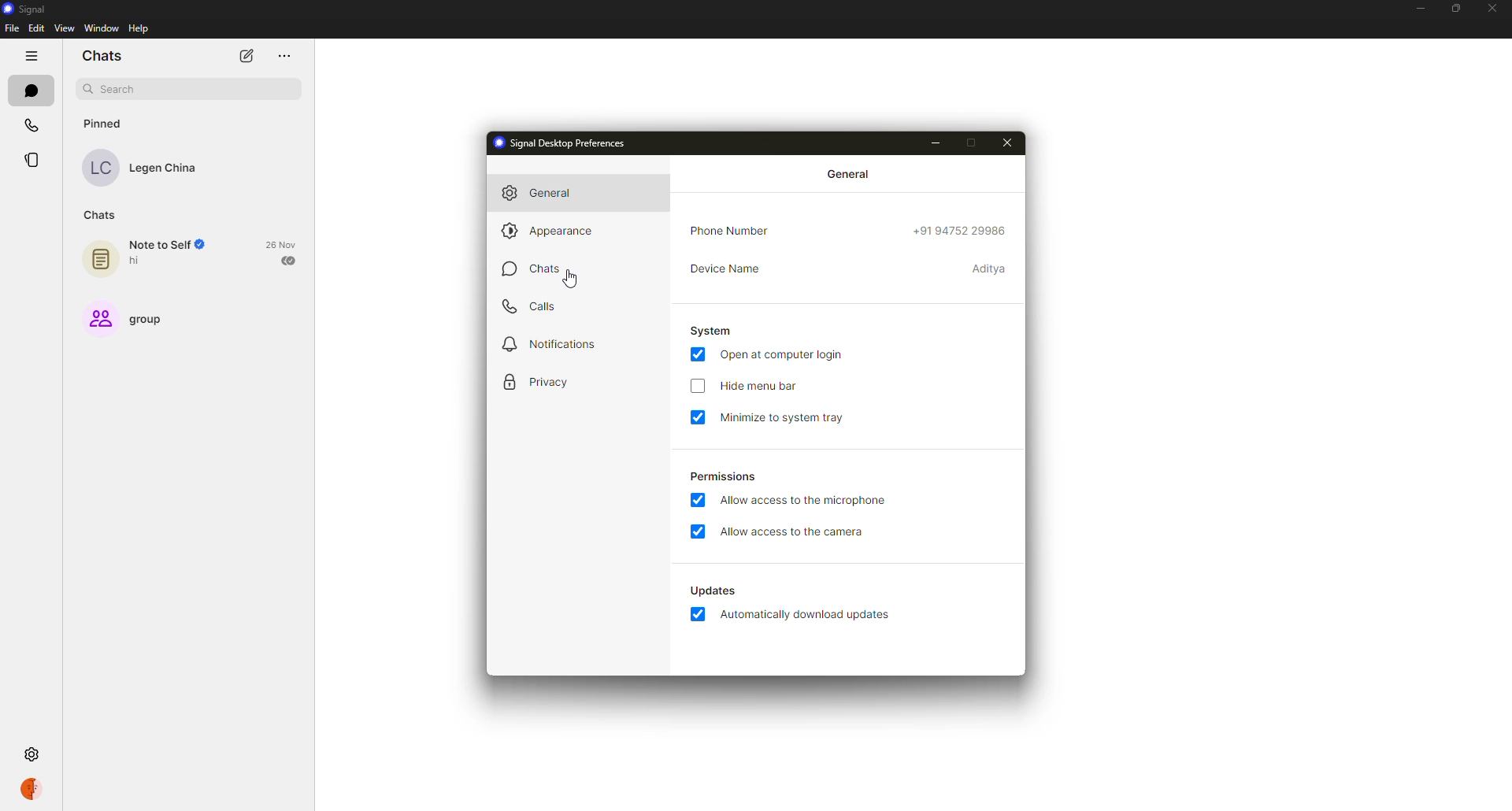 The width and height of the screenshot is (1512, 811). What do you see at coordinates (31, 55) in the screenshot?
I see `hide tabs` at bounding box center [31, 55].